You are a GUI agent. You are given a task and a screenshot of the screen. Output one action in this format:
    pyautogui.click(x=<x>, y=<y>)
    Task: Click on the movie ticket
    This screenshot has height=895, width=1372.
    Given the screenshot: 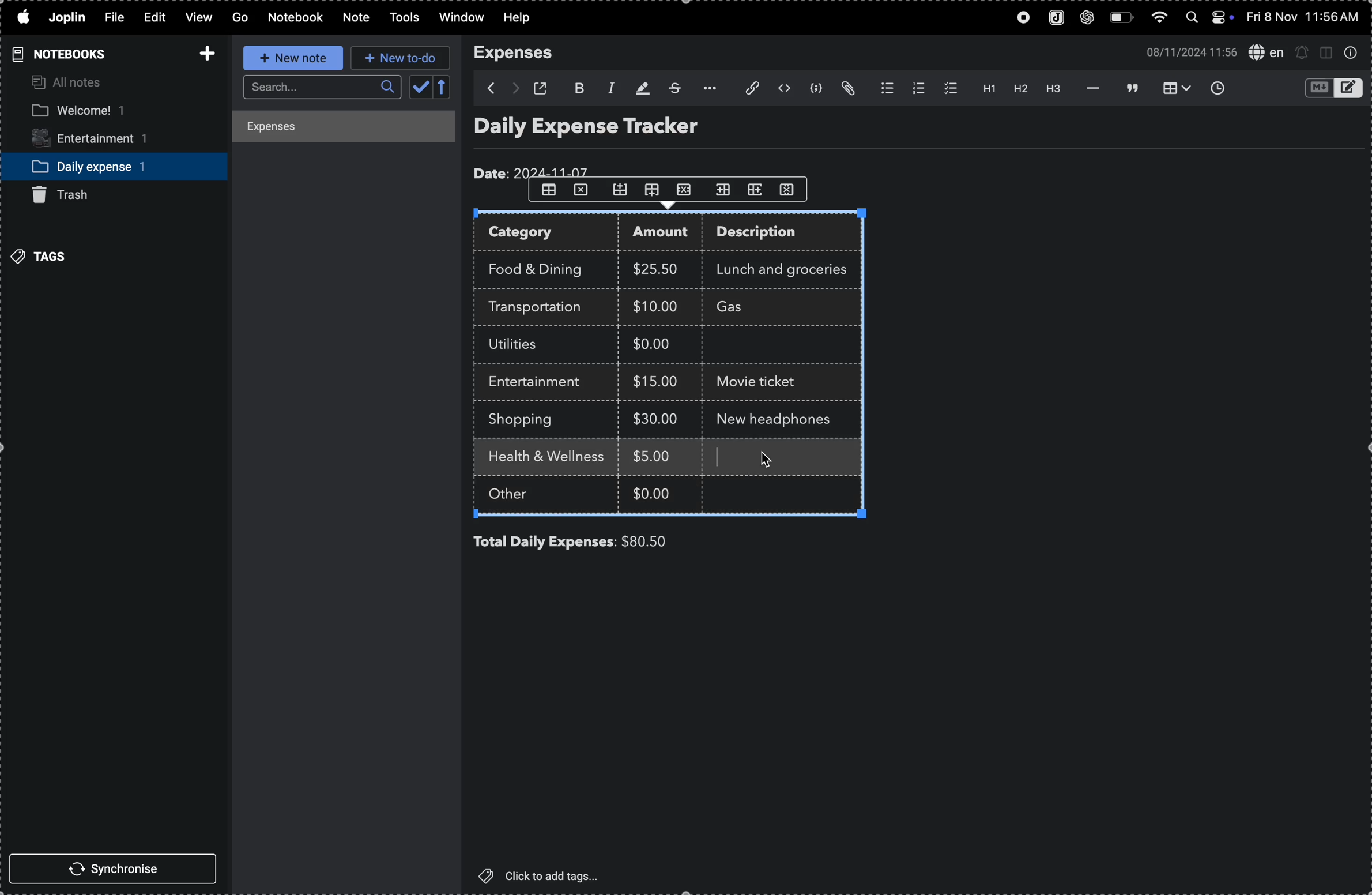 What is the action you would take?
    pyautogui.click(x=761, y=383)
    